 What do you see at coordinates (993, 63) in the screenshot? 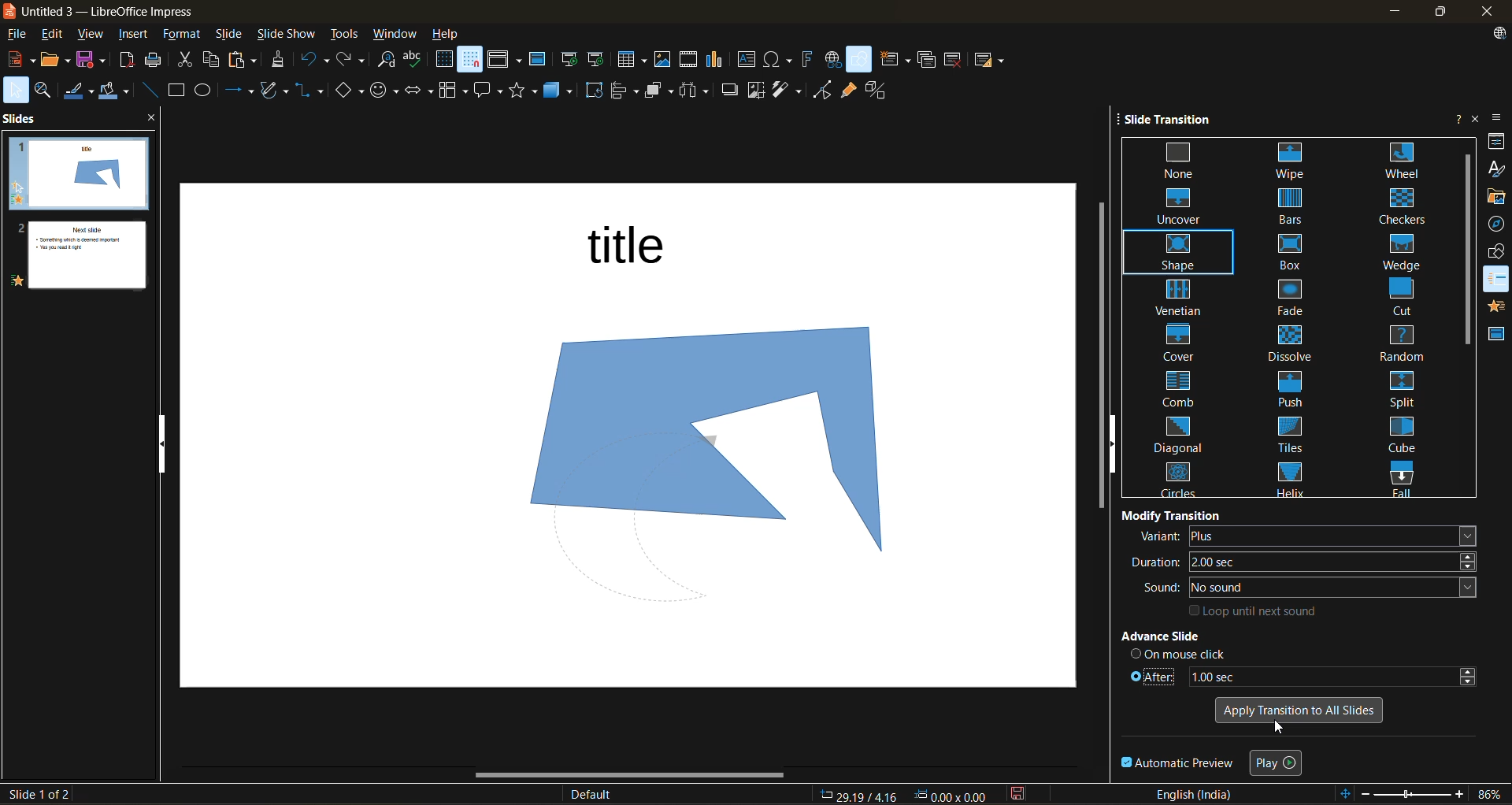
I see `slide layout` at bounding box center [993, 63].